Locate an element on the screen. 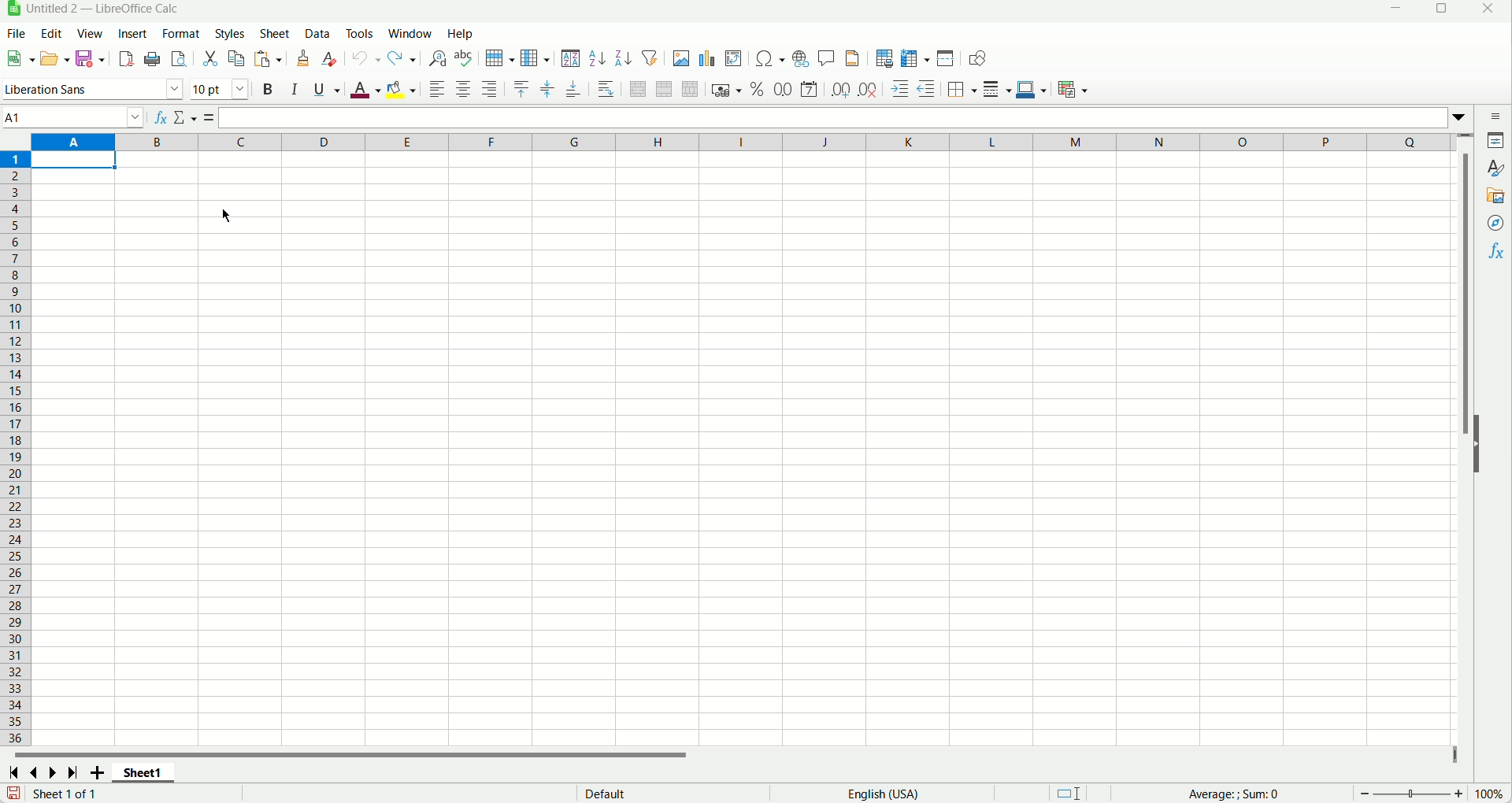 The height and width of the screenshot is (803, 1512). Font color is located at coordinates (365, 91).